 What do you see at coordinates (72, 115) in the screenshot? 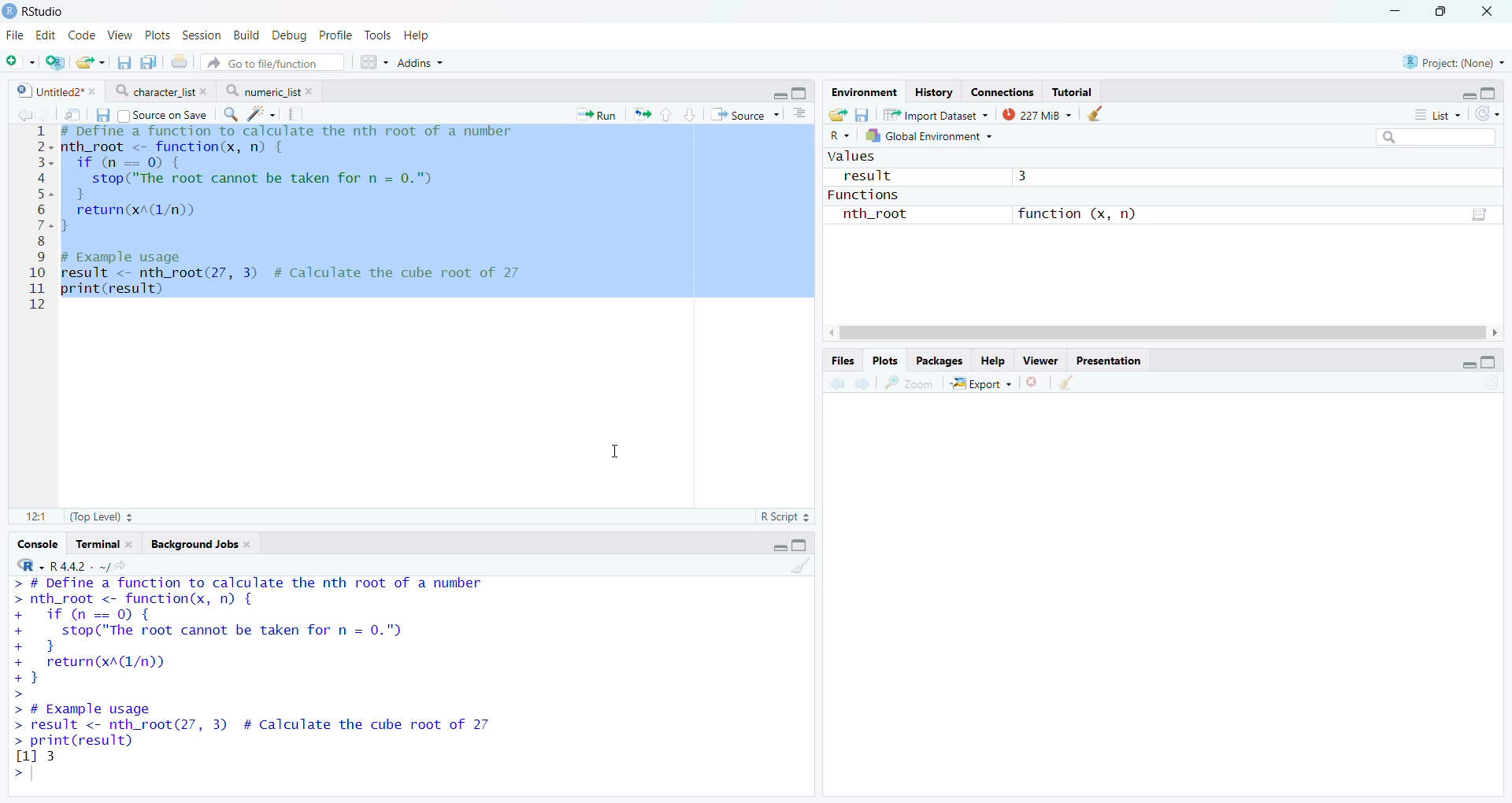
I see `Open in new window` at bounding box center [72, 115].